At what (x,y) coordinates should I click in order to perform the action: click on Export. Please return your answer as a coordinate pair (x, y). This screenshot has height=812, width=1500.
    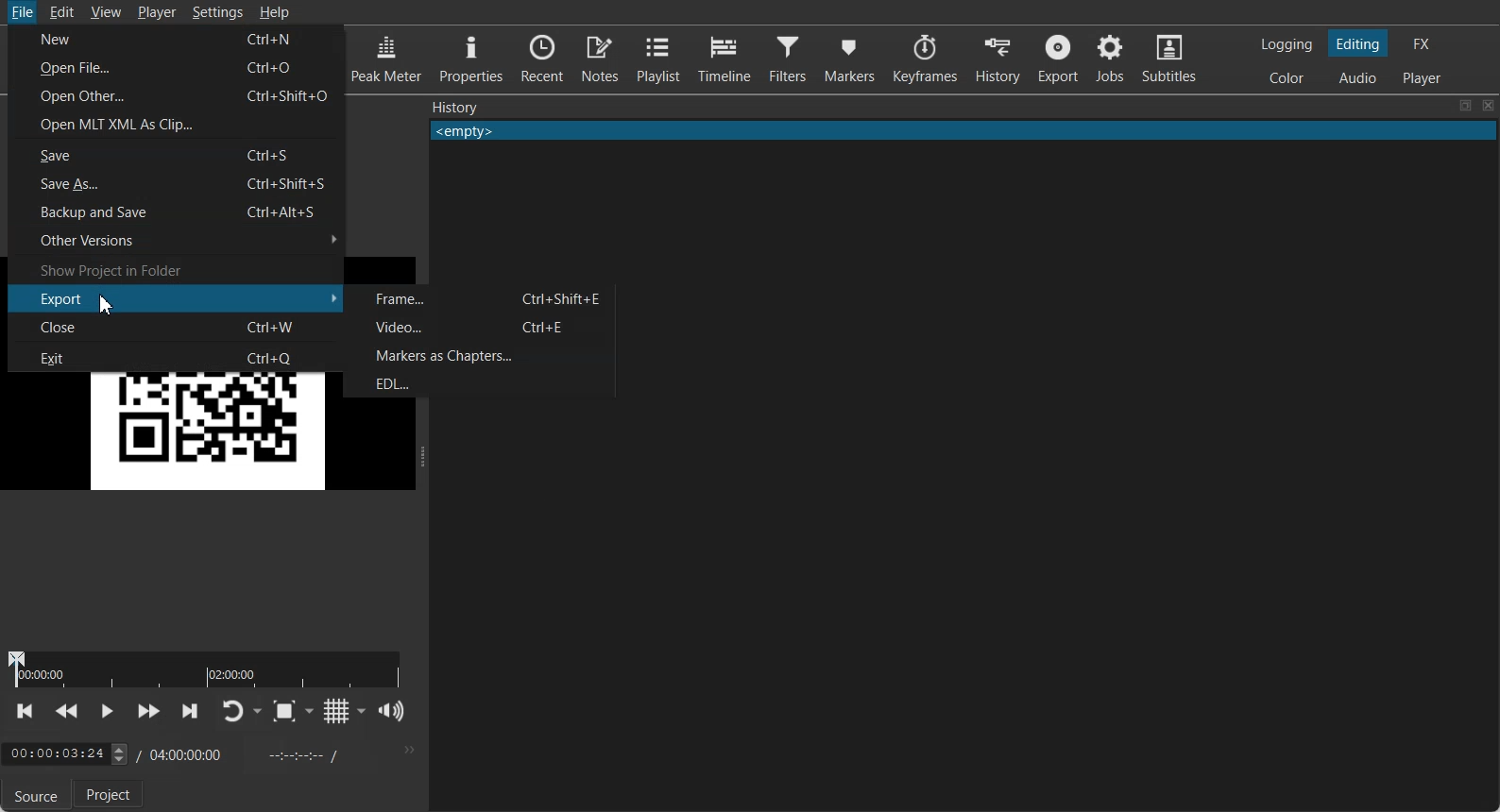
    Looking at the image, I should click on (1057, 58).